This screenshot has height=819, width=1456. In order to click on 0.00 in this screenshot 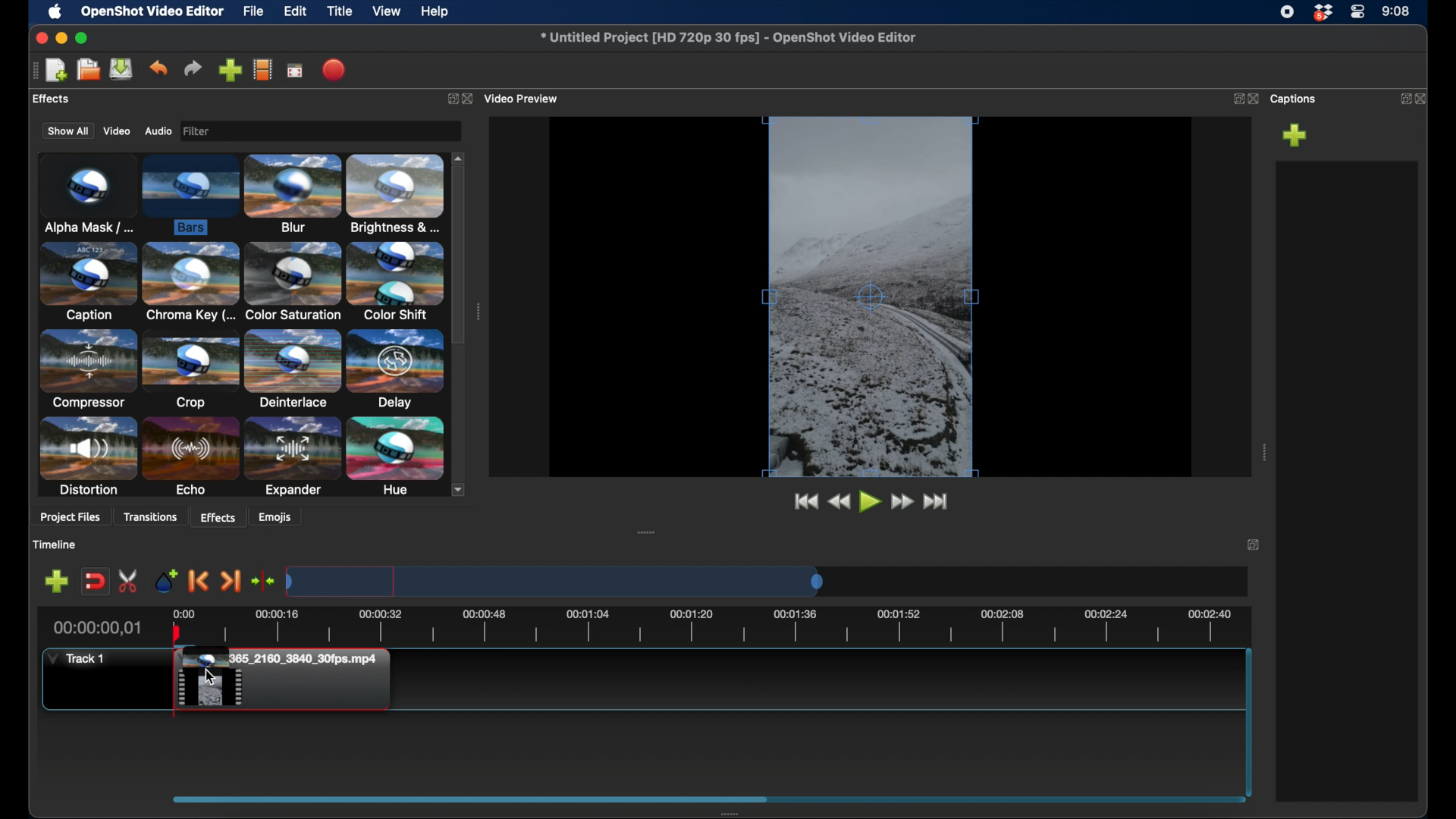, I will do `click(182, 612)`.